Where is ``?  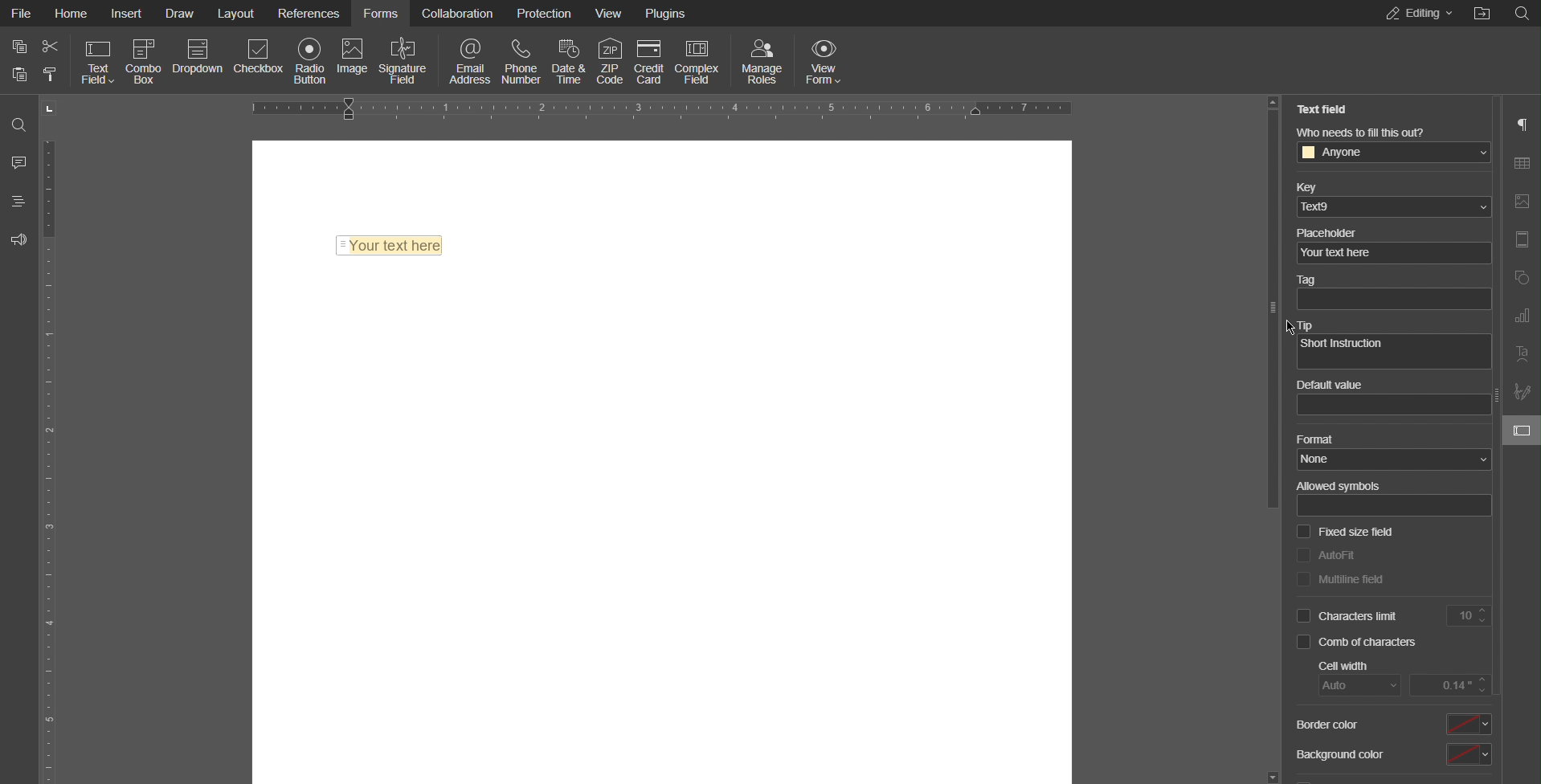  is located at coordinates (1483, 15).